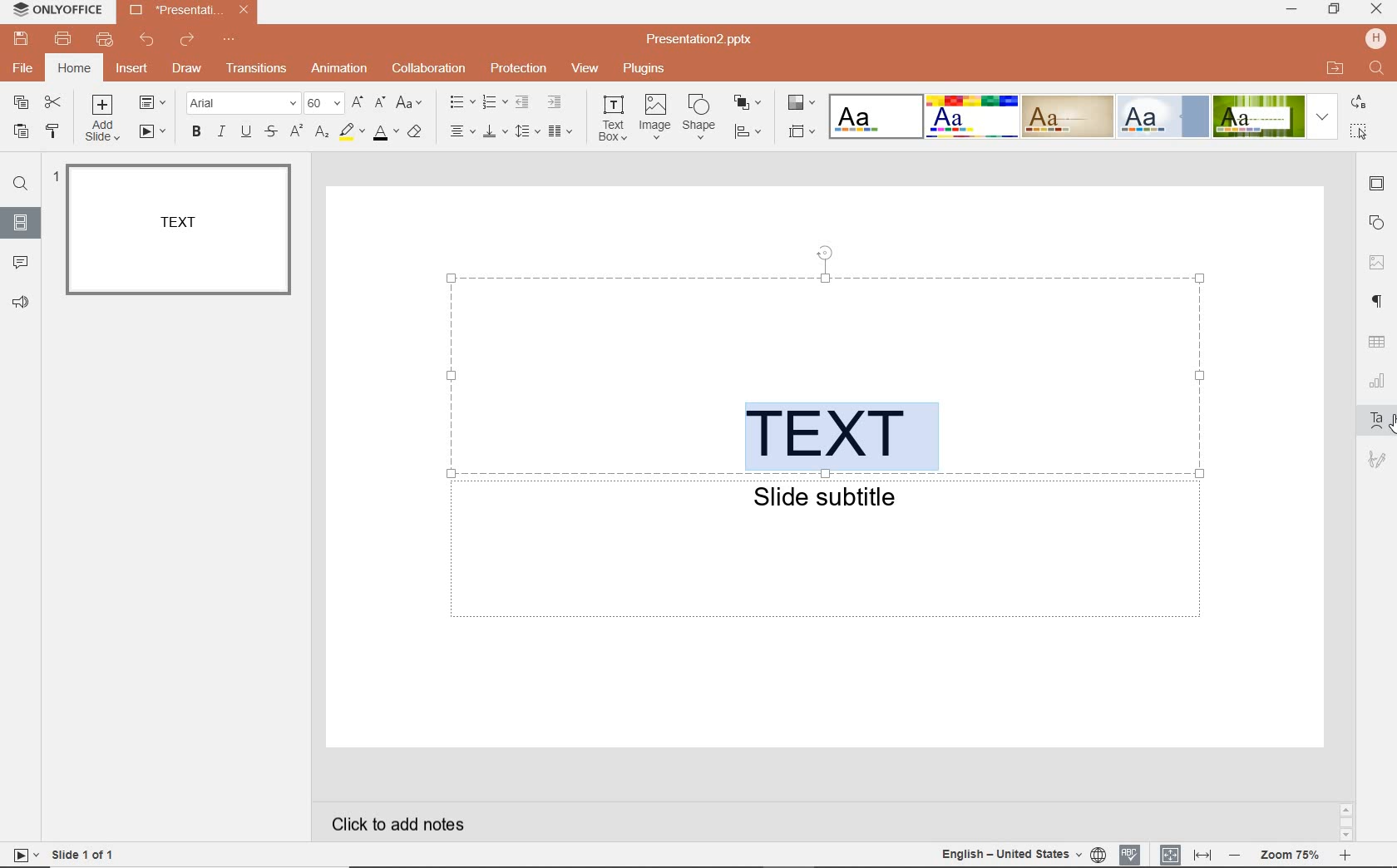 The height and width of the screenshot is (868, 1397). I want to click on PARAGRAPH SETTINGS, so click(1379, 300).